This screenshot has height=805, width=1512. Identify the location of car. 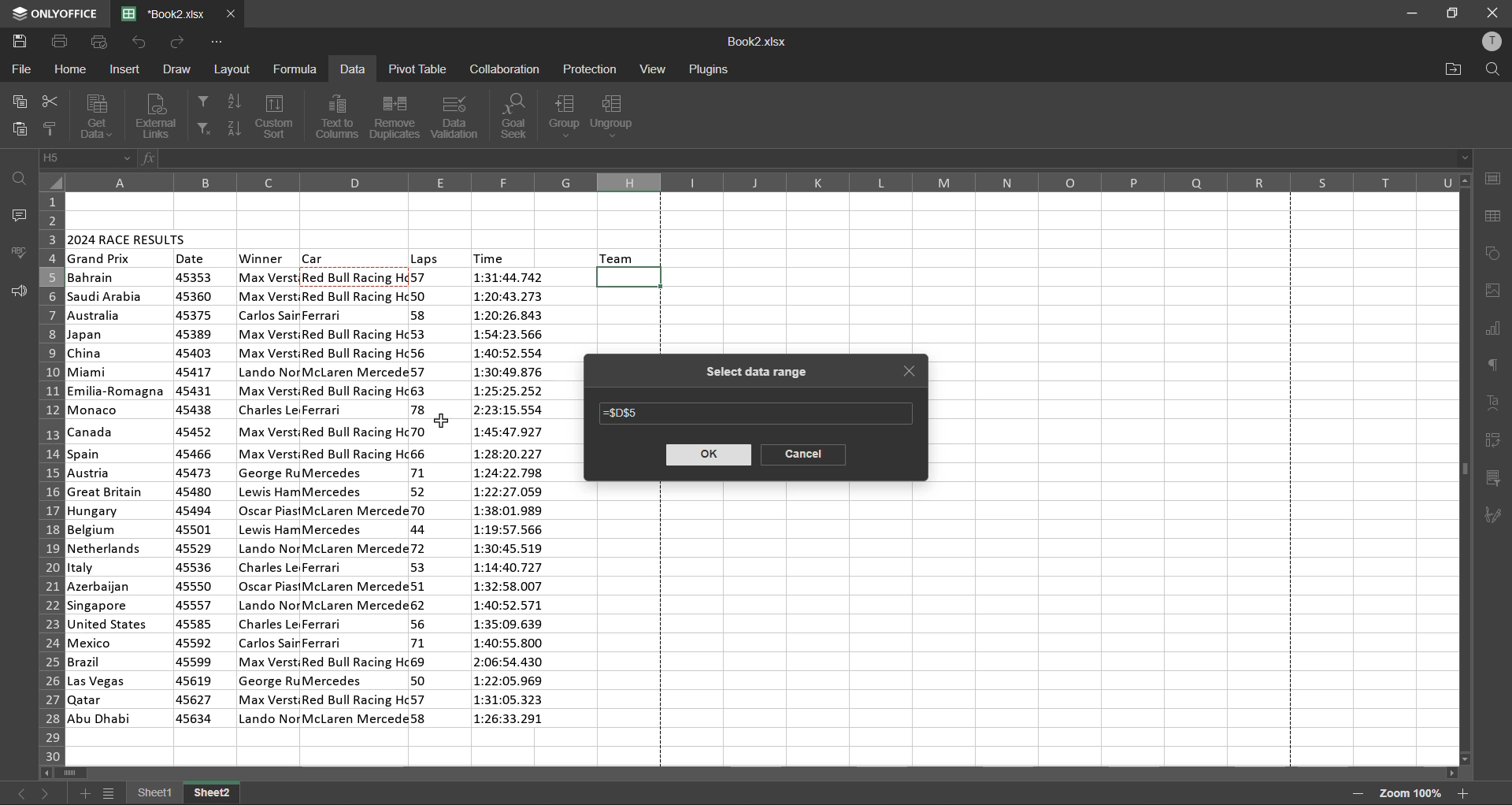
(354, 497).